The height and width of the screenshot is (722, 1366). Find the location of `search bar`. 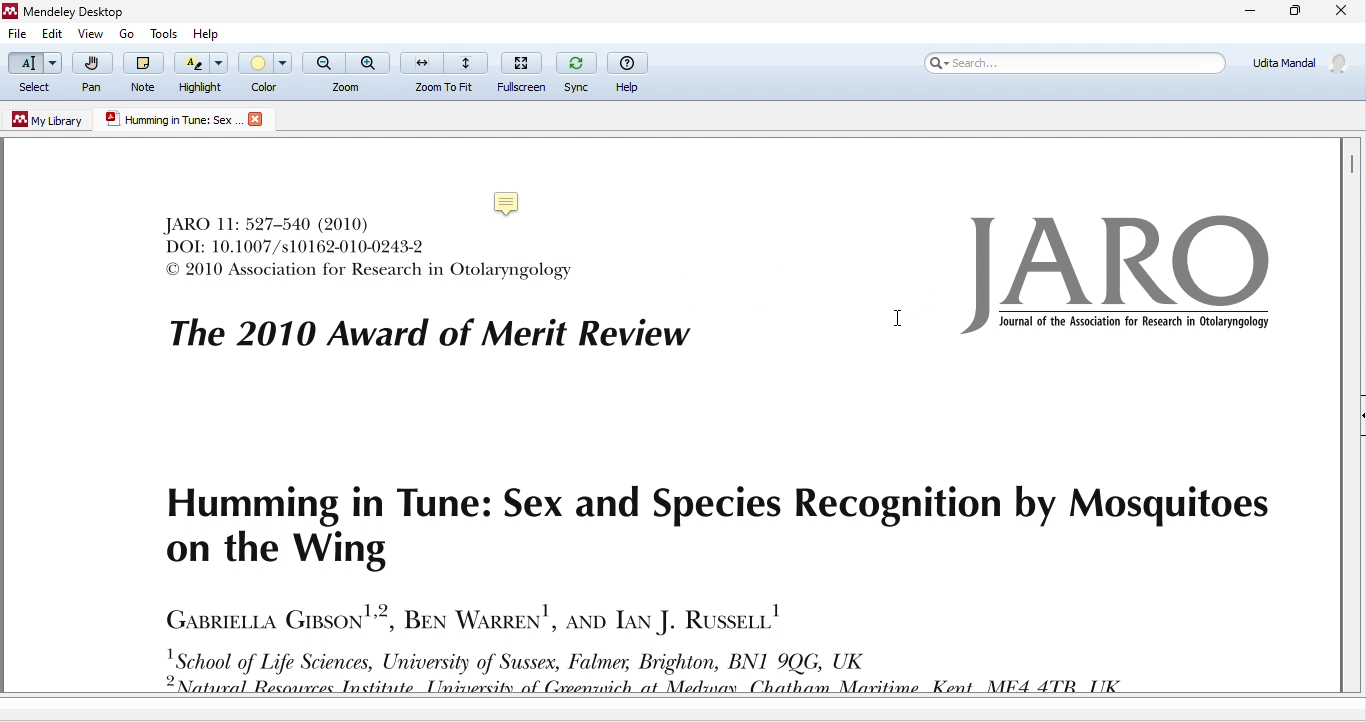

search bar is located at coordinates (1076, 65).